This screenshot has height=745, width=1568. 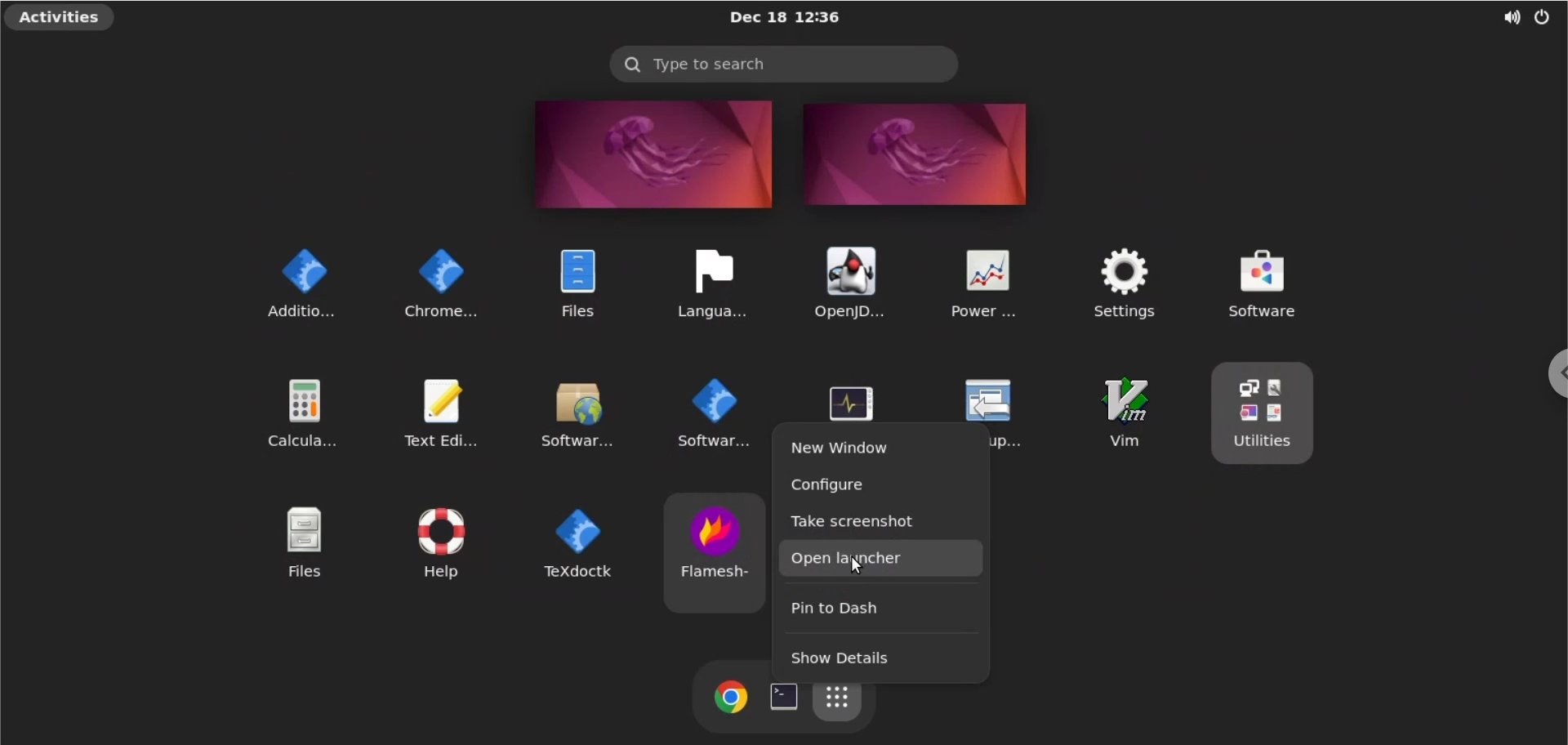 I want to click on new window, so click(x=879, y=445).